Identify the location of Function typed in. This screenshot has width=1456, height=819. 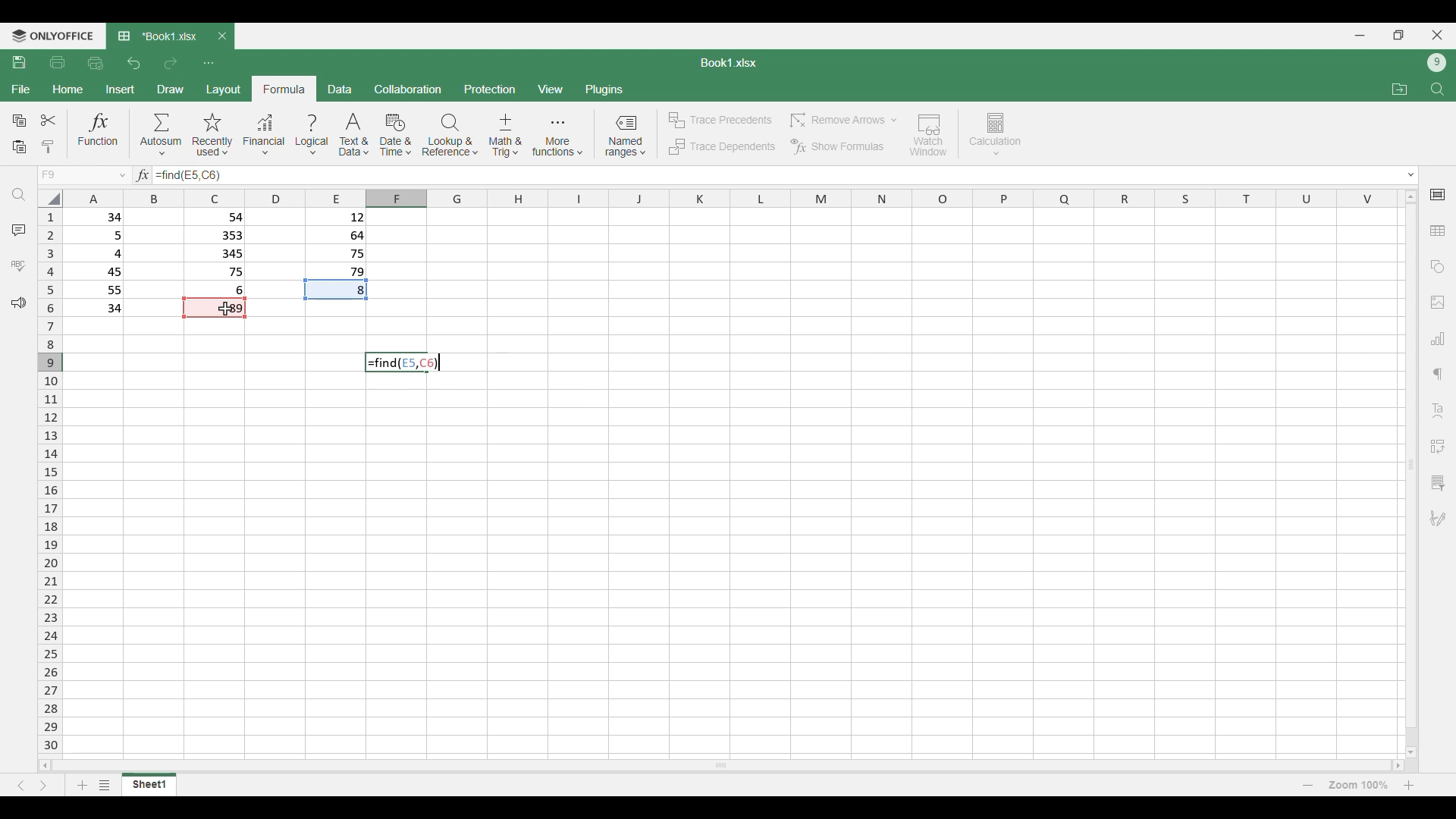
(167, 175).